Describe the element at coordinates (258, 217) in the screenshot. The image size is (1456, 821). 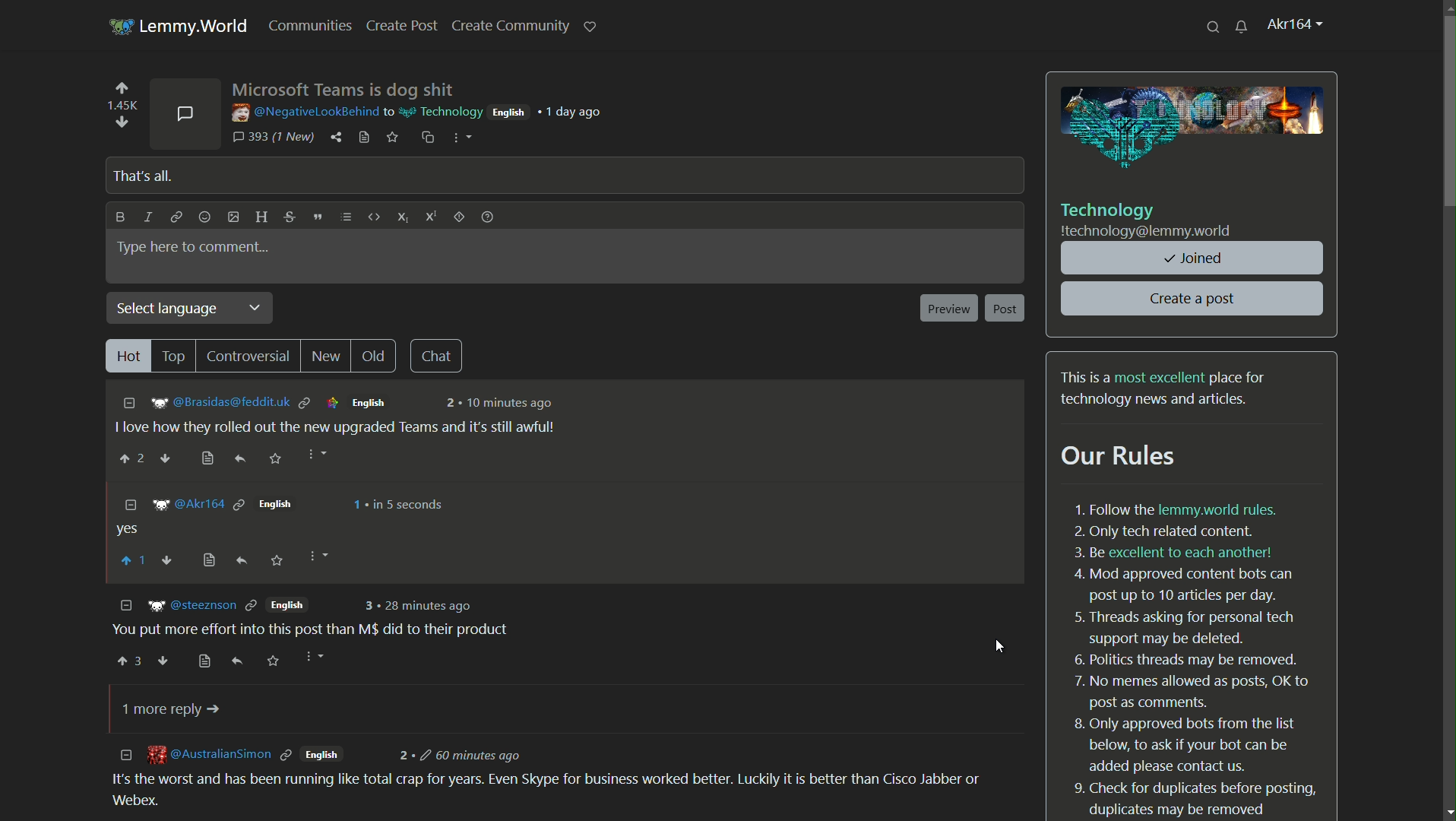
I see `header` at that location.